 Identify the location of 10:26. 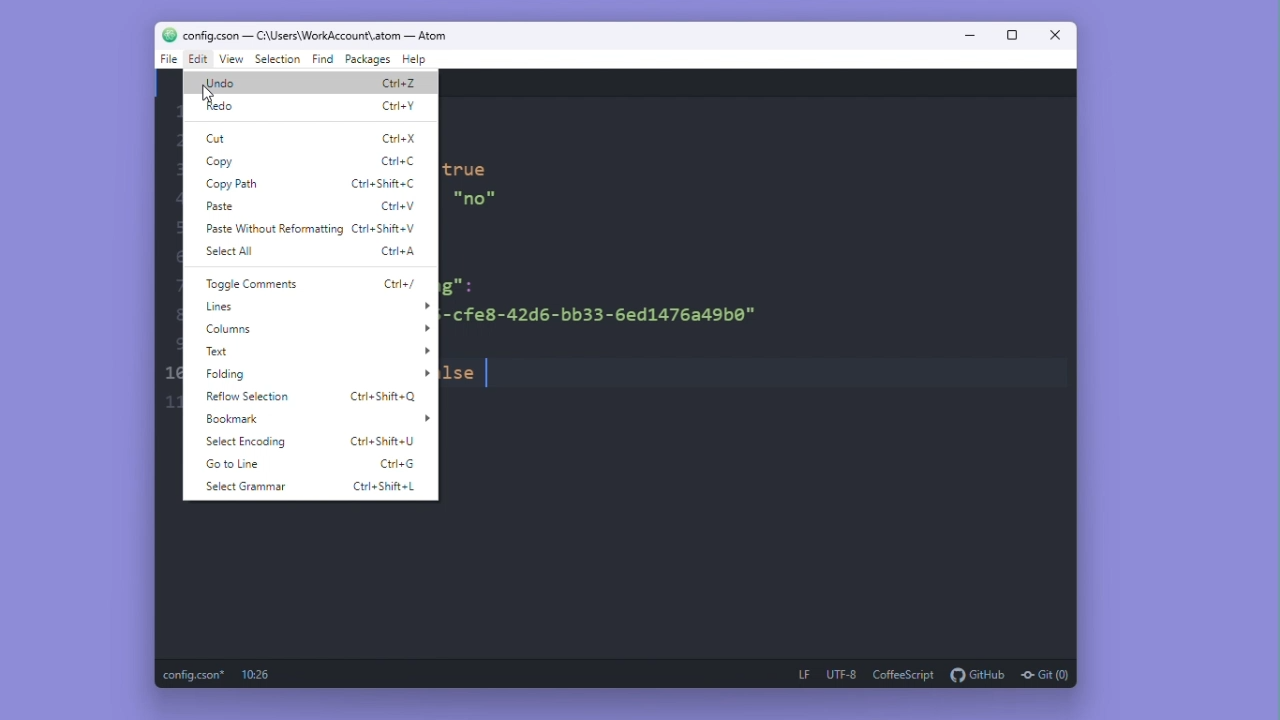
(258, 676).